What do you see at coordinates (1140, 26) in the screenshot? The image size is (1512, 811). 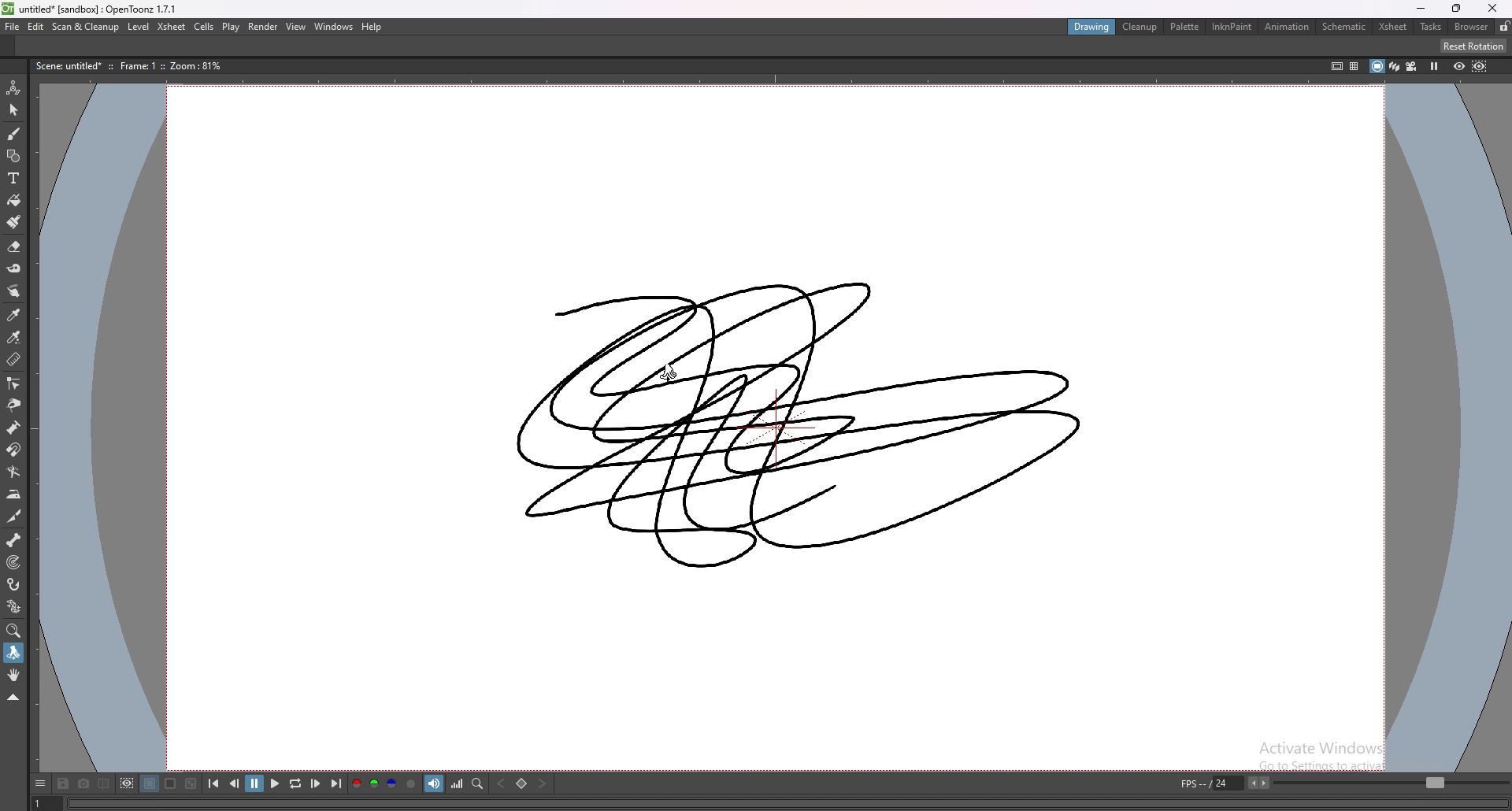 I see `cleanup` at bounding box center [1140, 26].